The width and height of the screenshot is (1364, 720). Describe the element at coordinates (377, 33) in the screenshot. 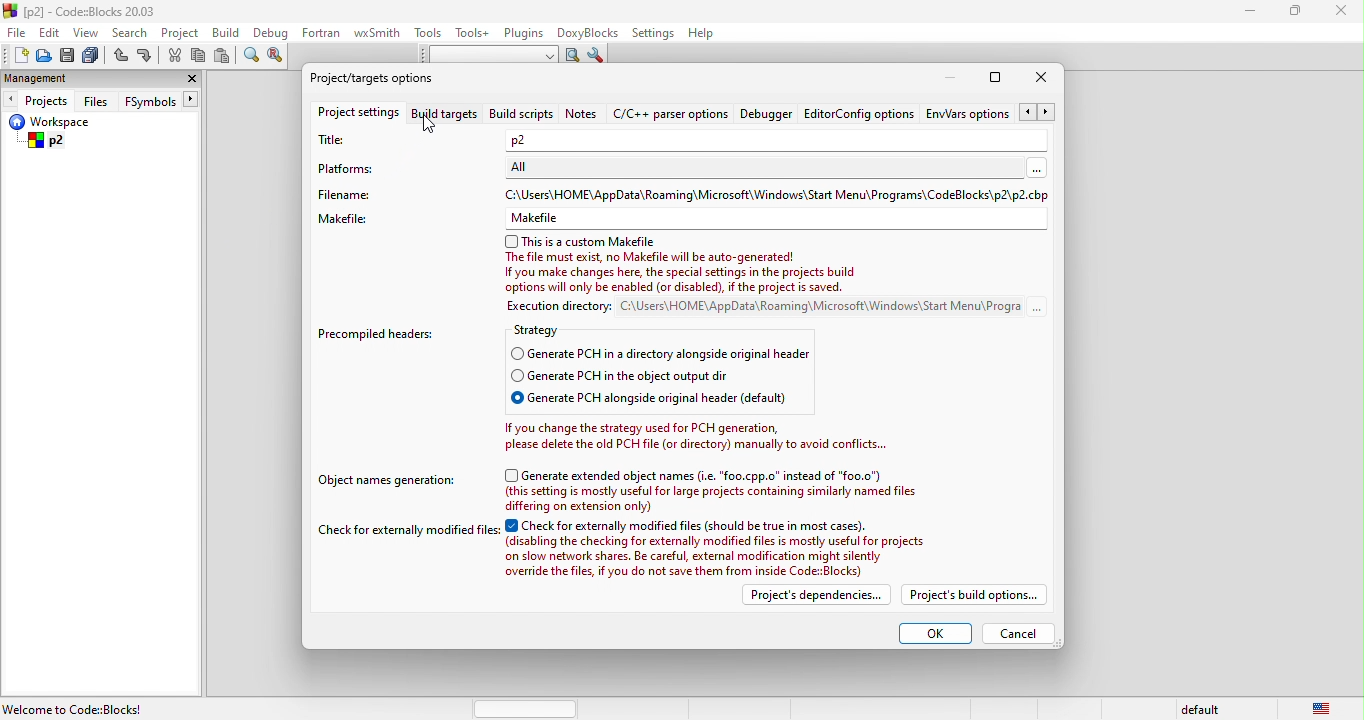

I see `wxsmith` at that location.